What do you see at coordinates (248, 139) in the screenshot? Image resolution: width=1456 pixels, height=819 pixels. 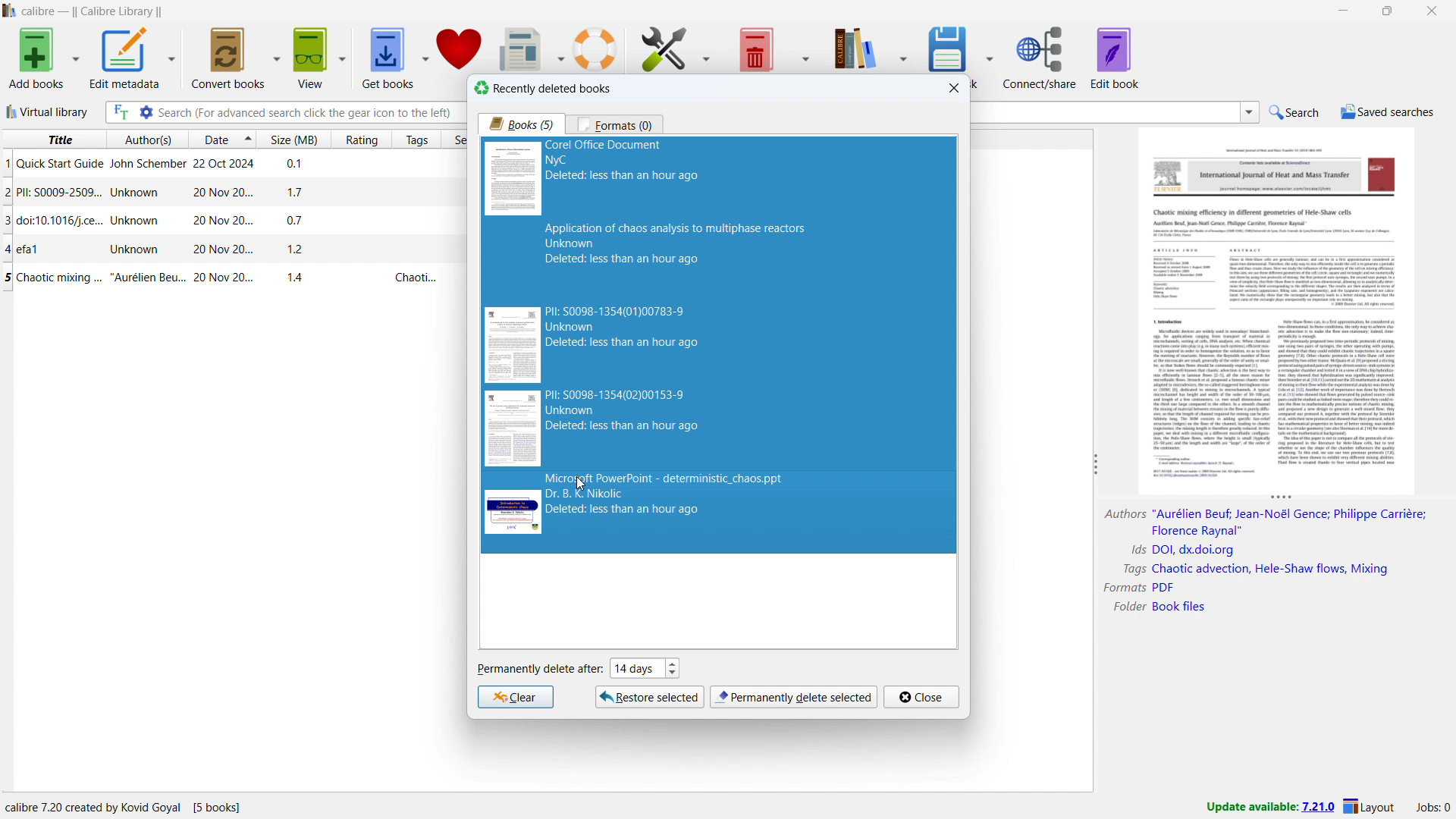 I see `select sorting order` at bounding box center [248, 139].